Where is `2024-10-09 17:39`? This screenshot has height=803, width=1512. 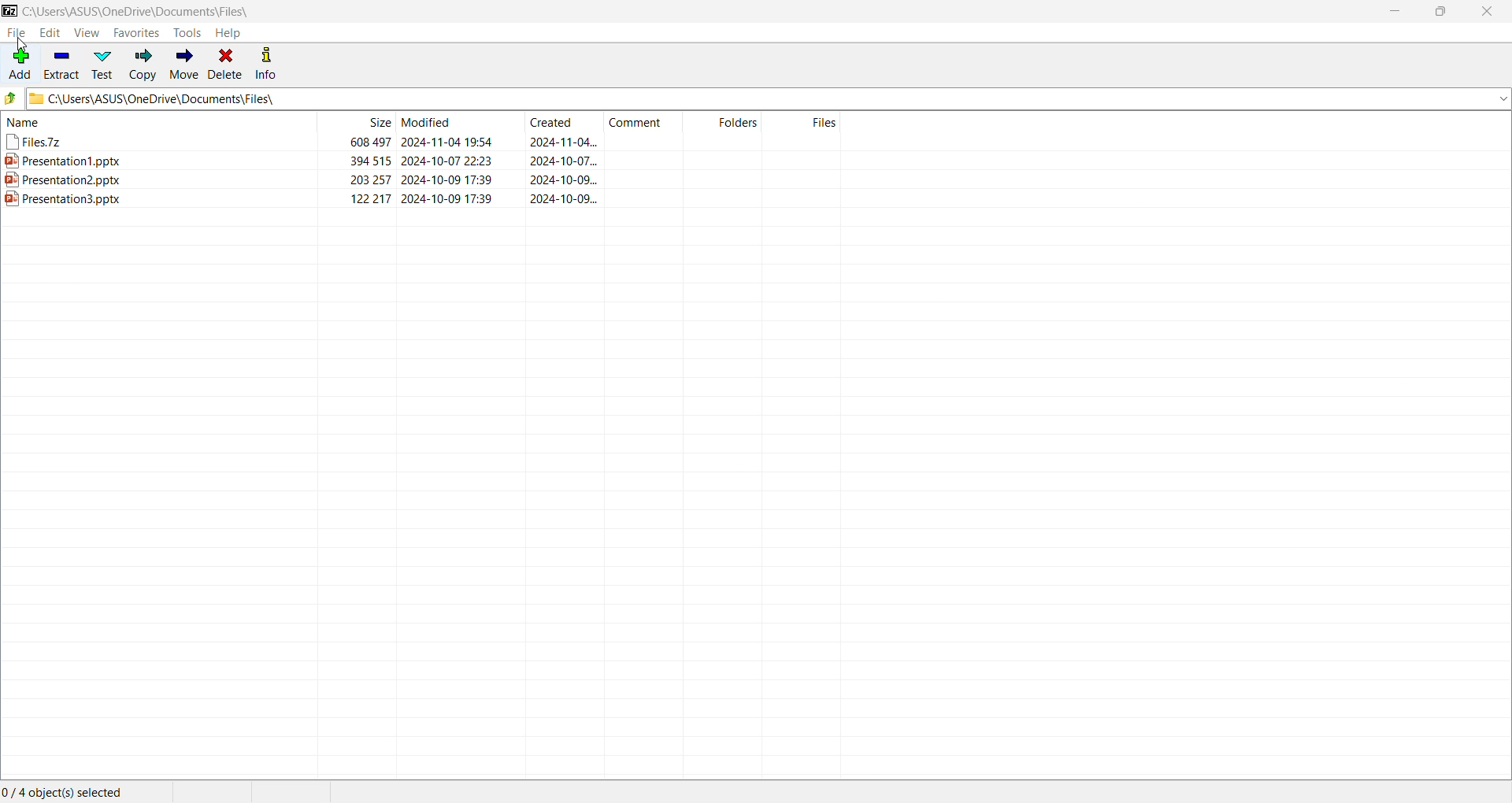 2024-10-09 17:39 is located at coordinates (451, 200).